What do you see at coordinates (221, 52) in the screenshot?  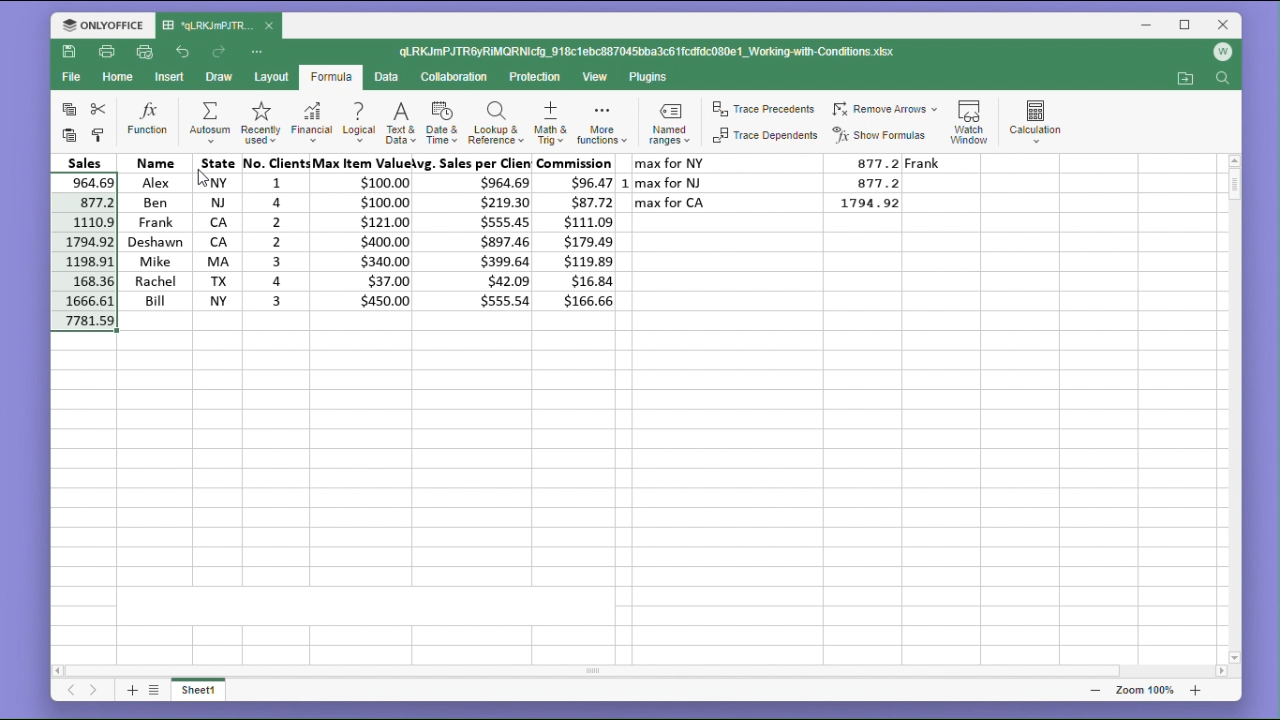 I see `redo` at bounding box center [221, 52].